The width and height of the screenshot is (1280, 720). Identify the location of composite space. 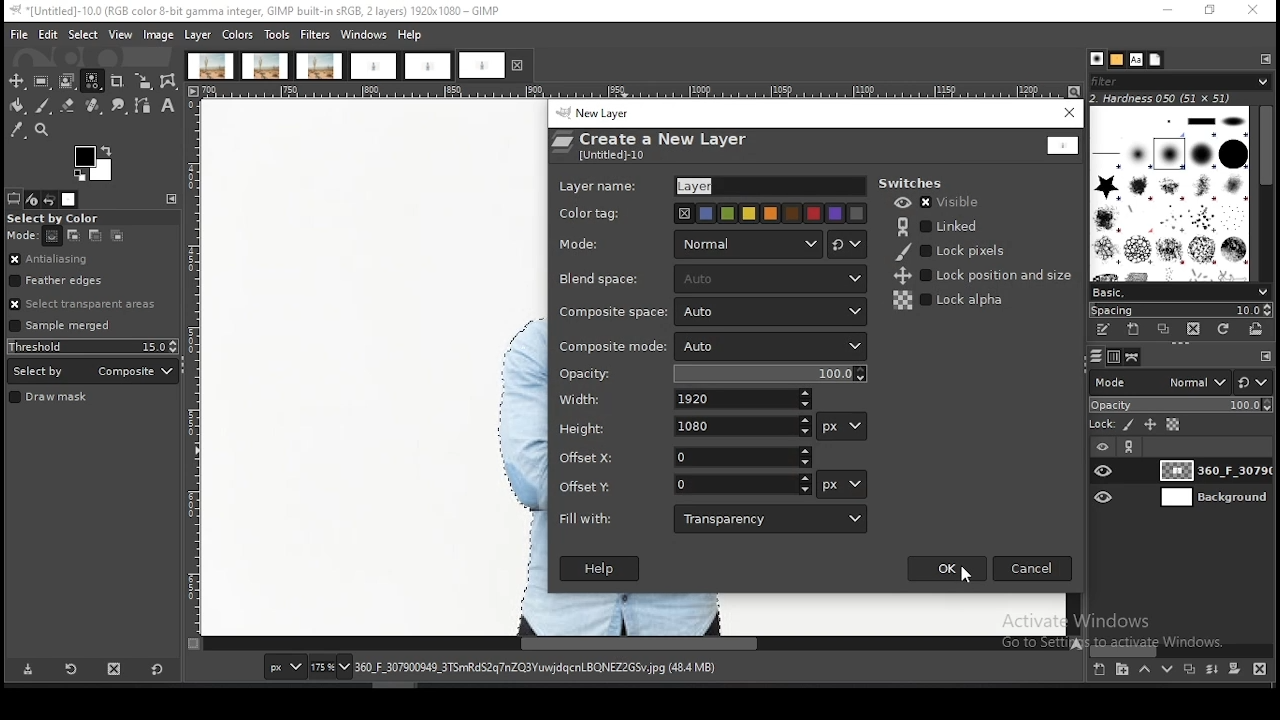
(617, 311).